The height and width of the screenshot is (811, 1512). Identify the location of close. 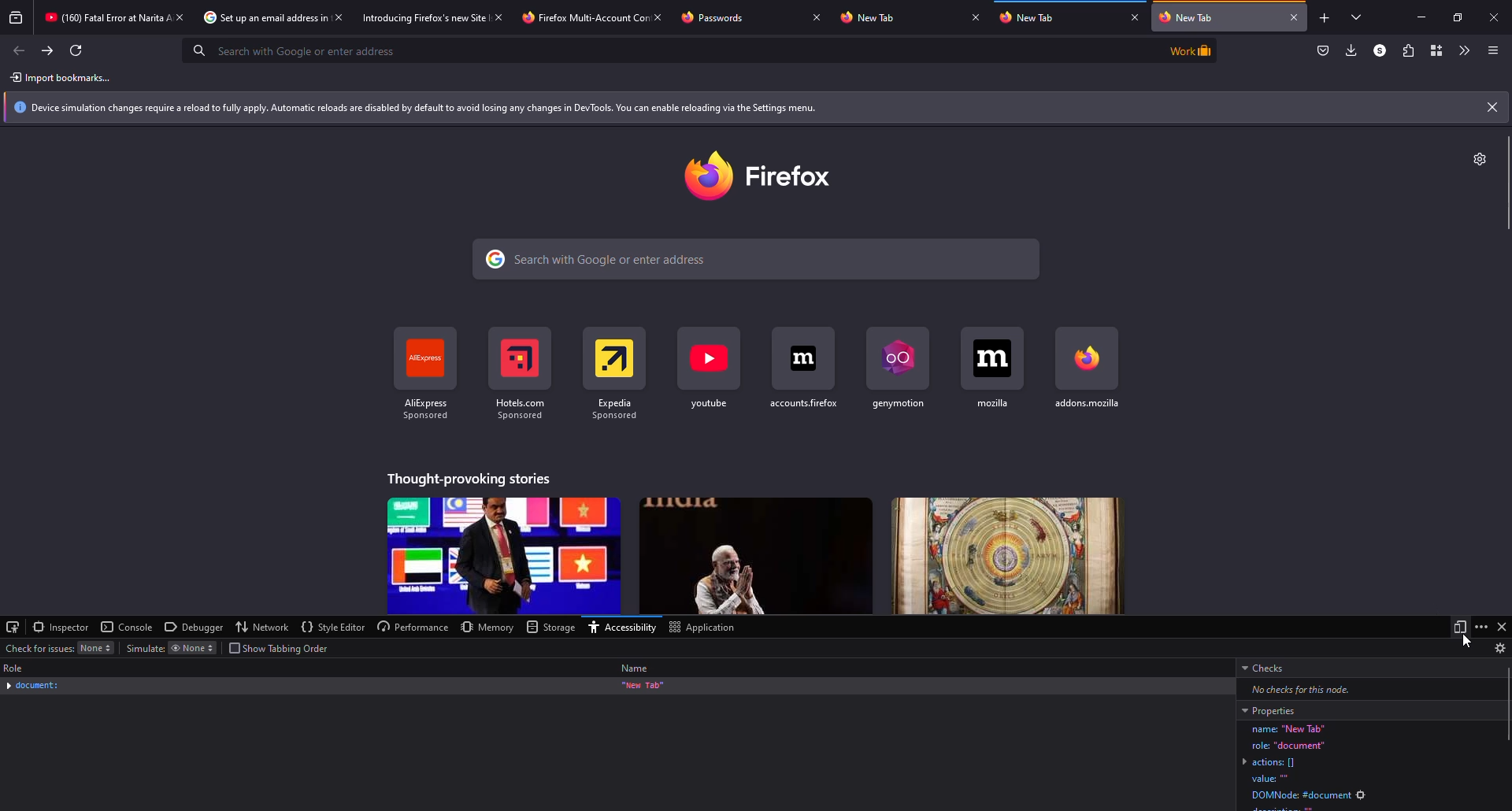
(1496, 15).